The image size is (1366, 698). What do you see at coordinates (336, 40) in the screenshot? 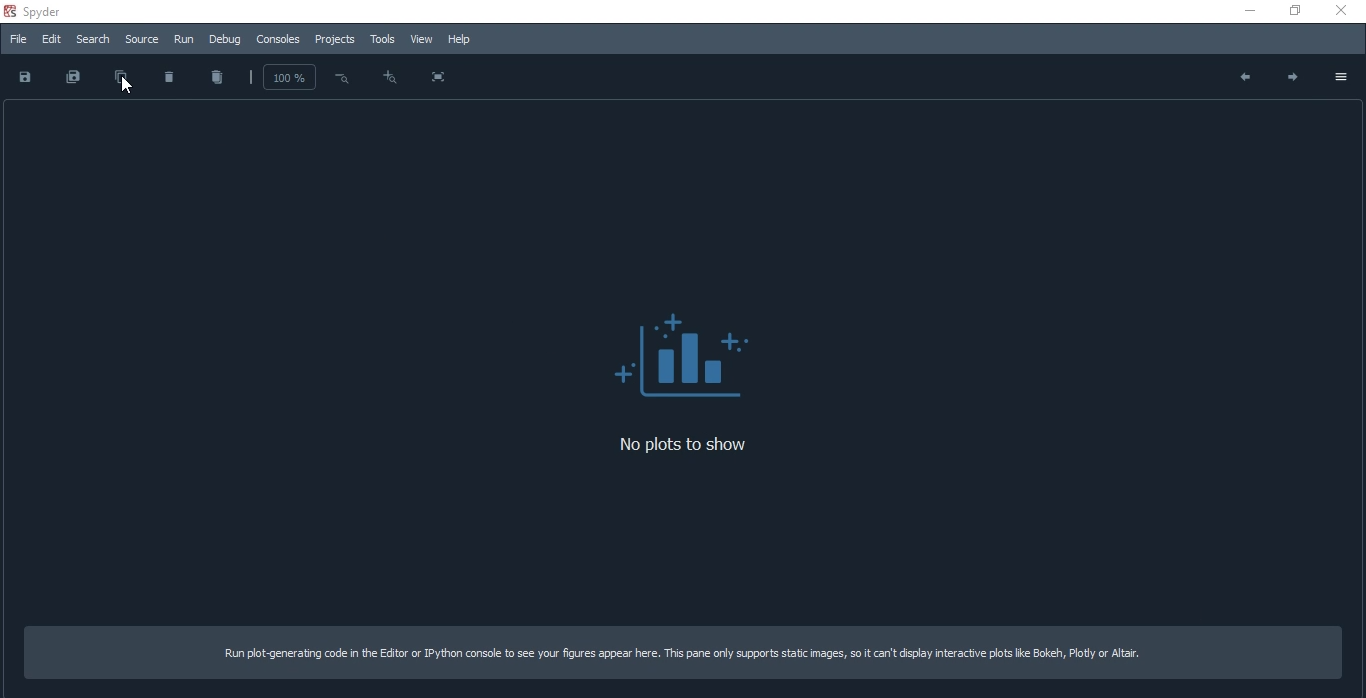
I see `Projects` at bounding box center [336, 40].